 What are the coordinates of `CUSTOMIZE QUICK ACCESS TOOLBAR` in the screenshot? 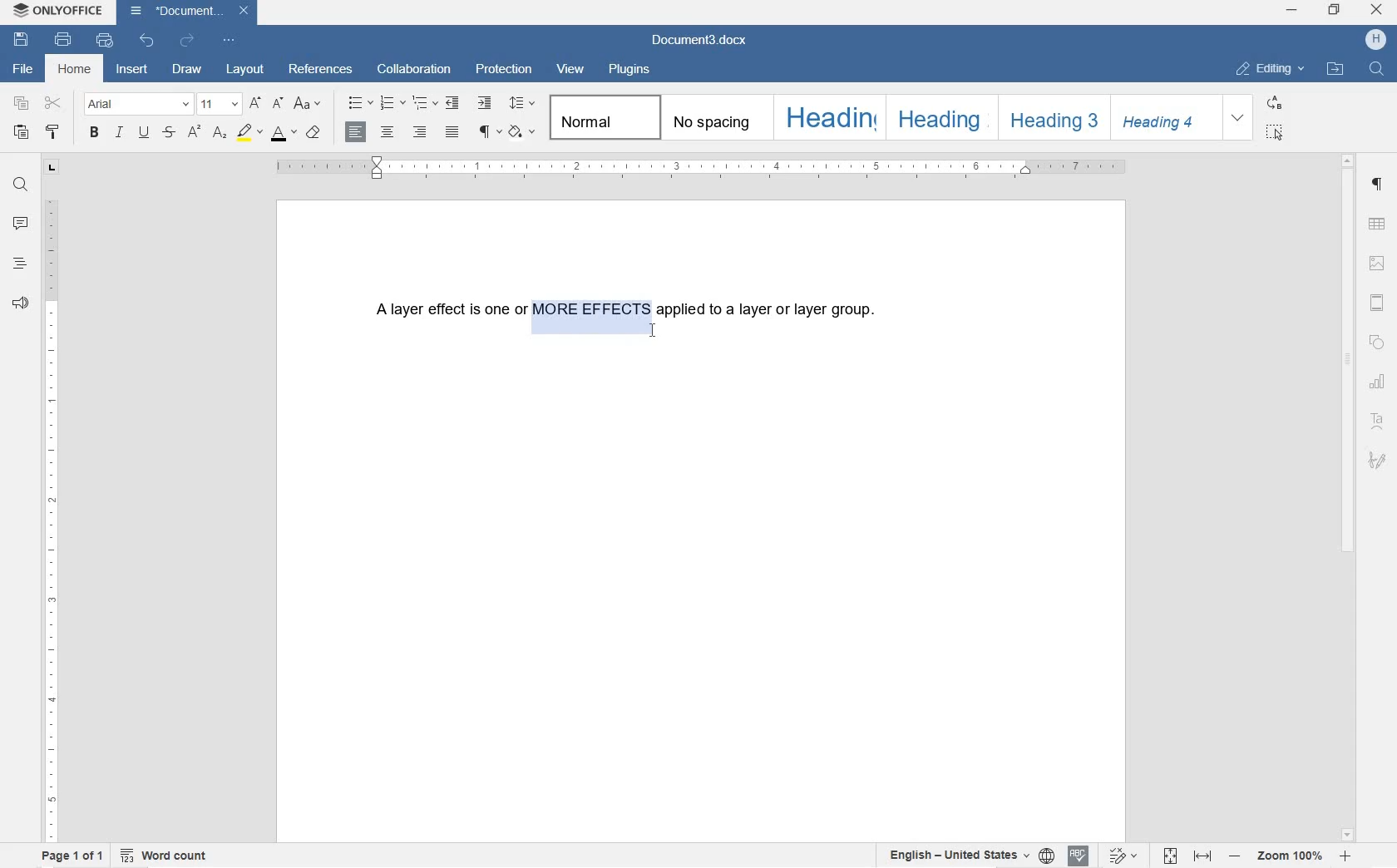 It's located at (230, 42).